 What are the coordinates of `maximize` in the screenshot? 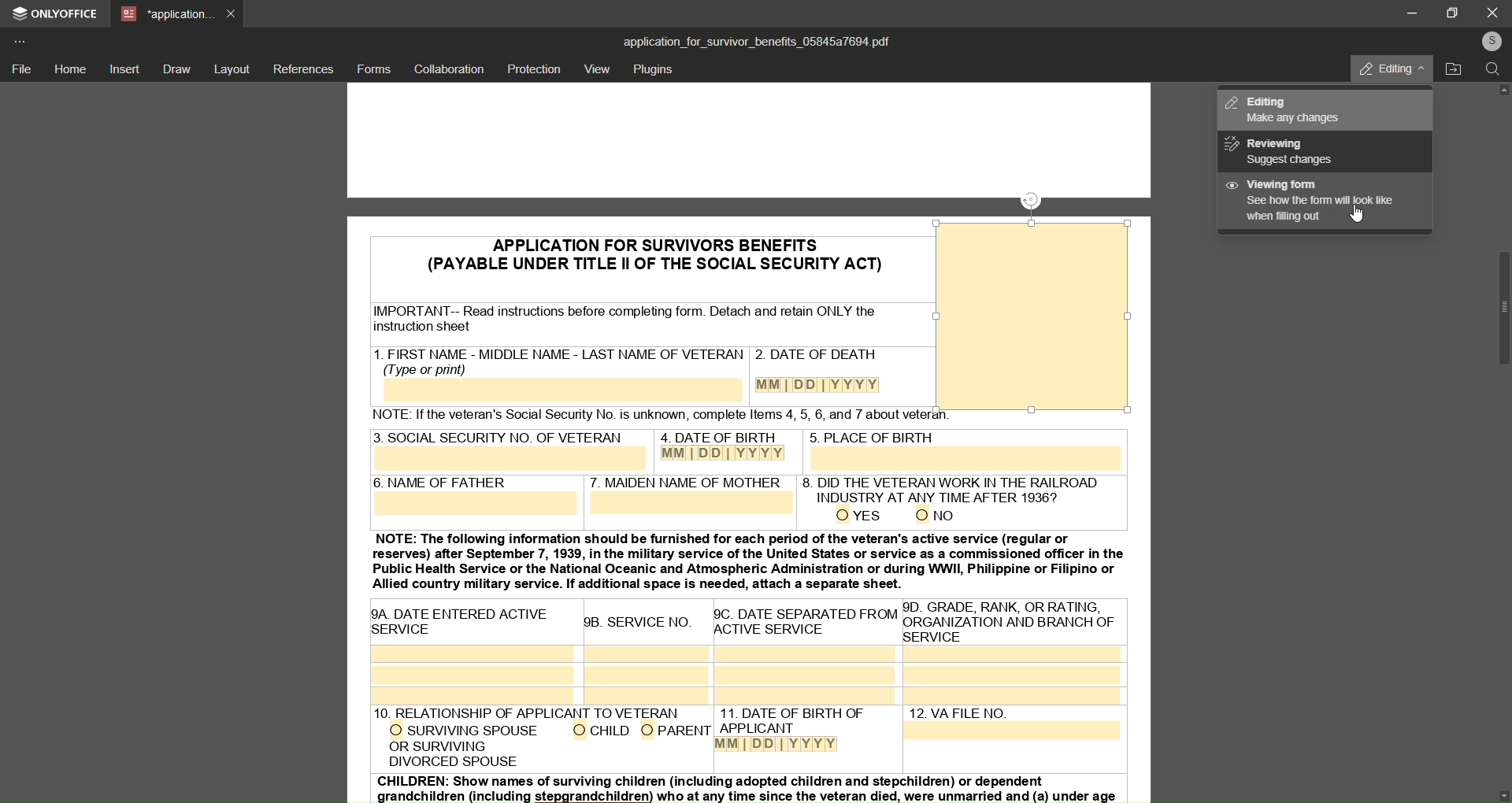 It's located at (1455, 12).